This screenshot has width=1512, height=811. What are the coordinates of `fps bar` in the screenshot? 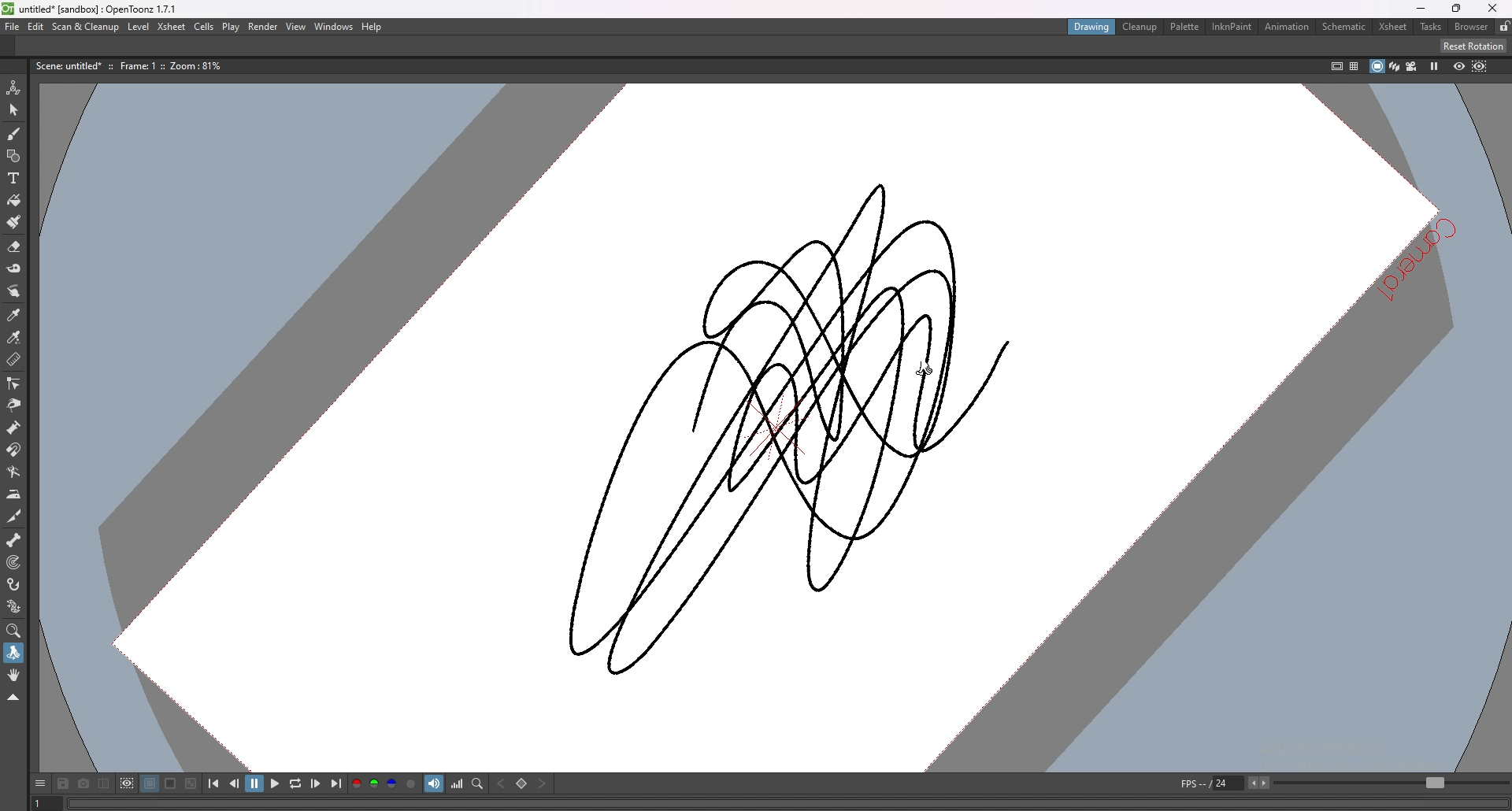 It's located at (1392, 783).